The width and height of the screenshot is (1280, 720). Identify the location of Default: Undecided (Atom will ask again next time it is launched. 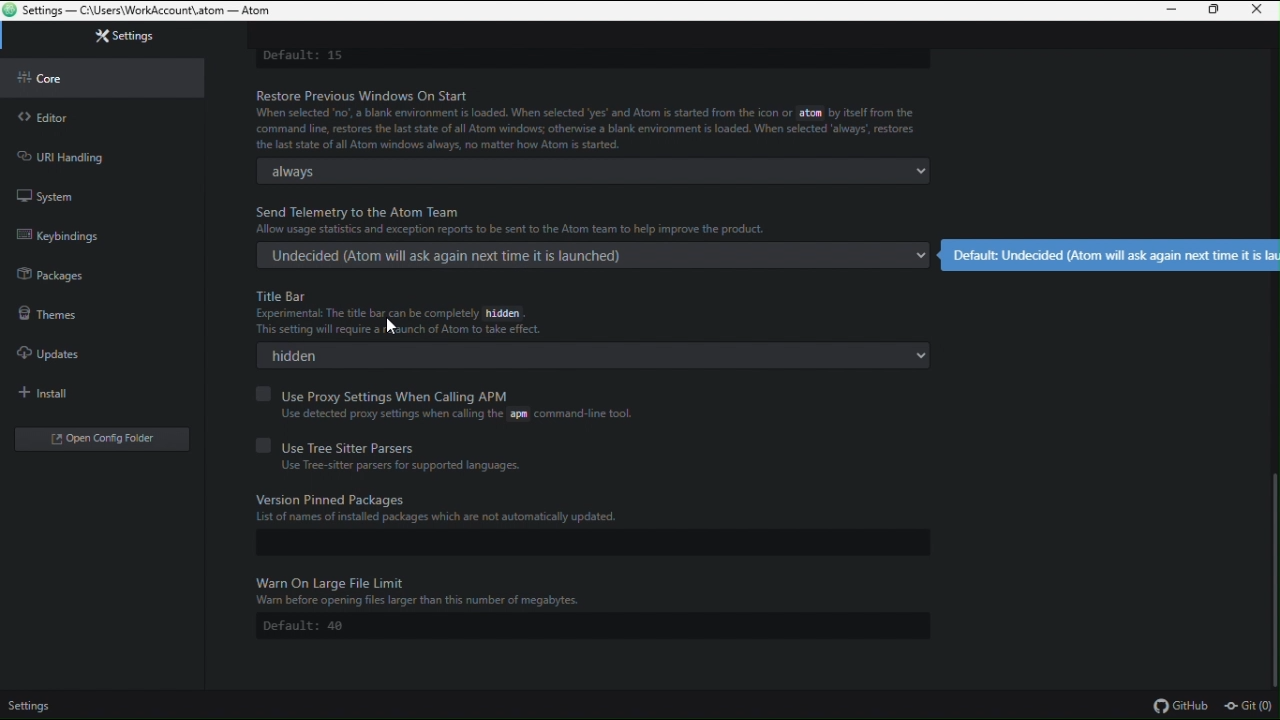
(1111, 253).